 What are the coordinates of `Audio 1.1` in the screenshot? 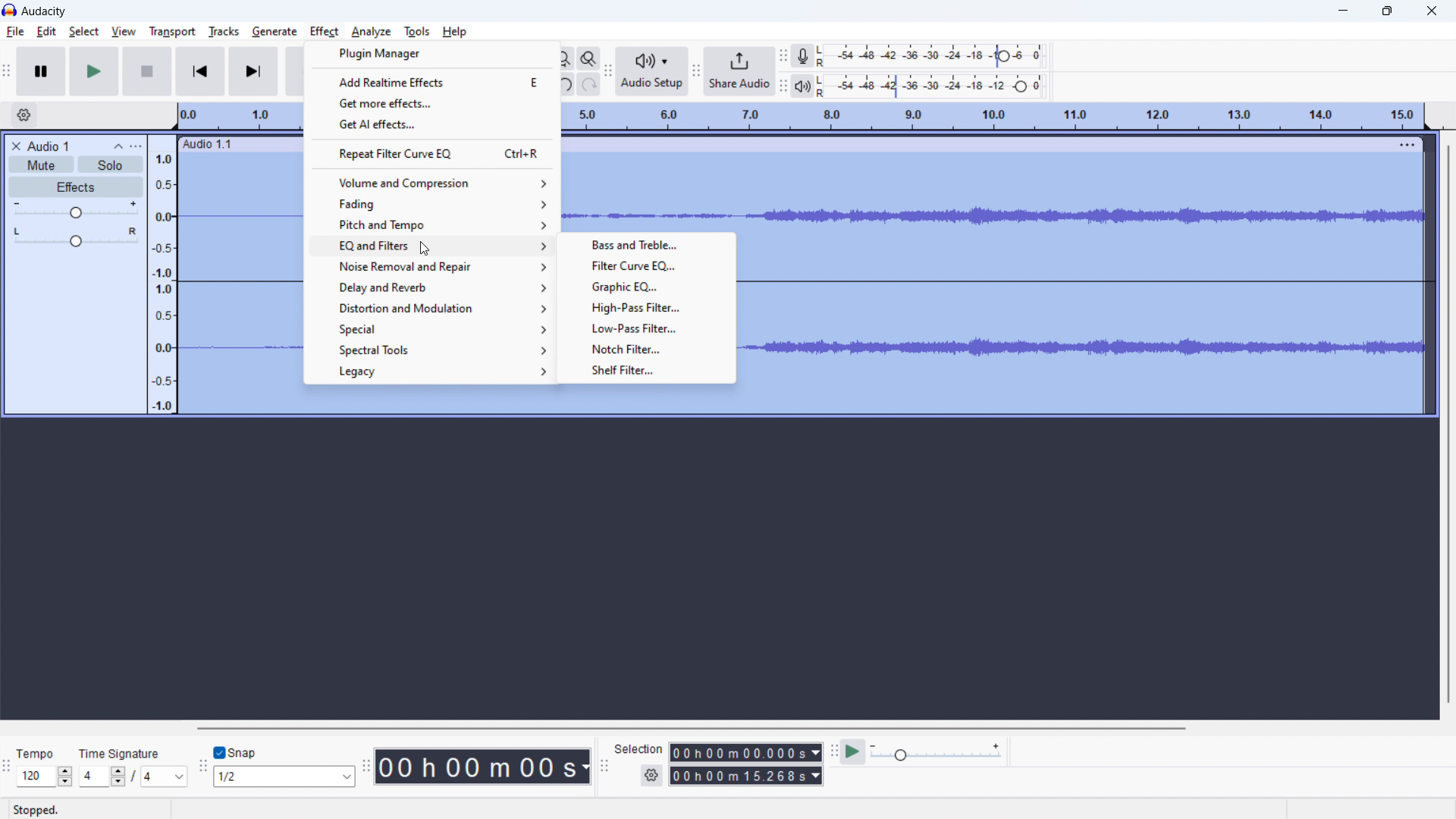 It's located at (214, 145).